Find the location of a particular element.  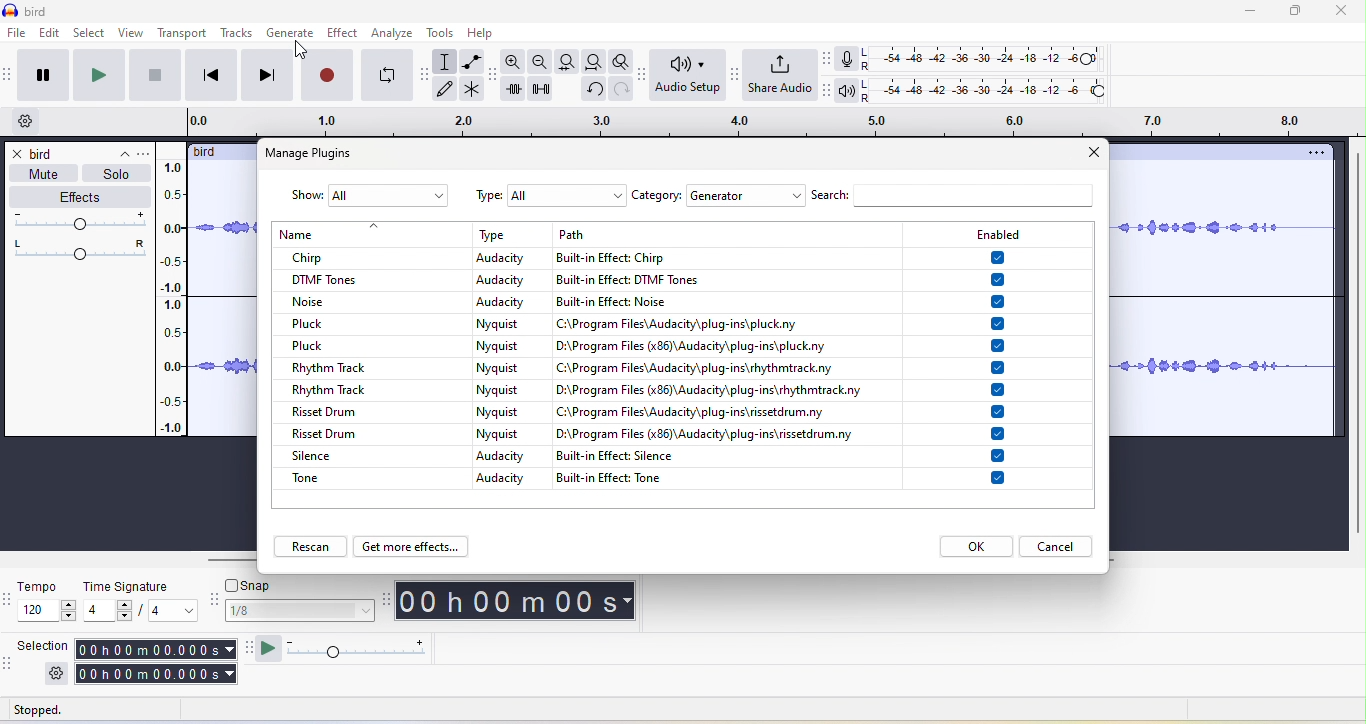

audio setup  is located at coordinates (684, 79).